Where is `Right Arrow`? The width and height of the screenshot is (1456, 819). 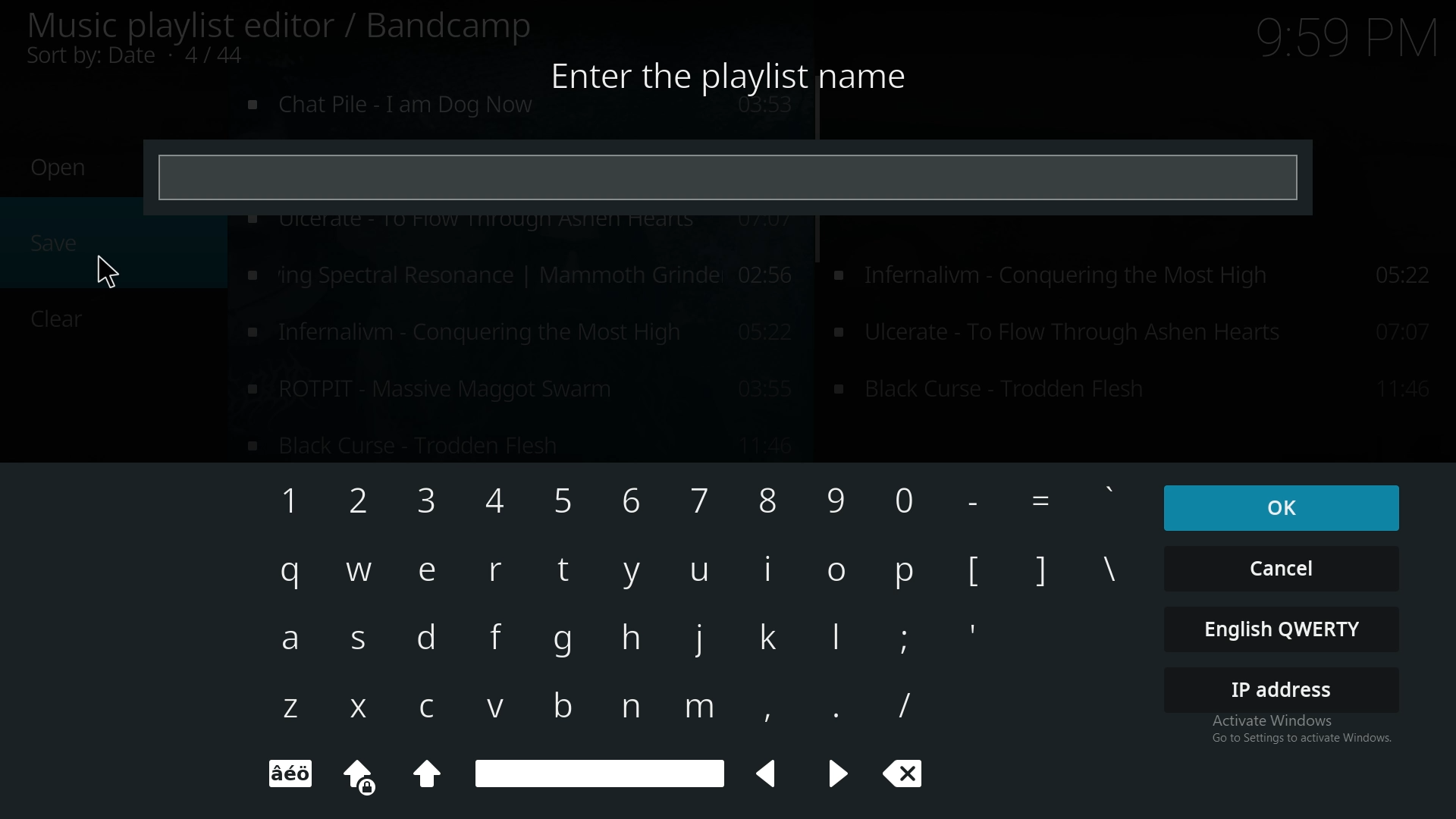
Right Arrow is located at coordinates (837, 777).